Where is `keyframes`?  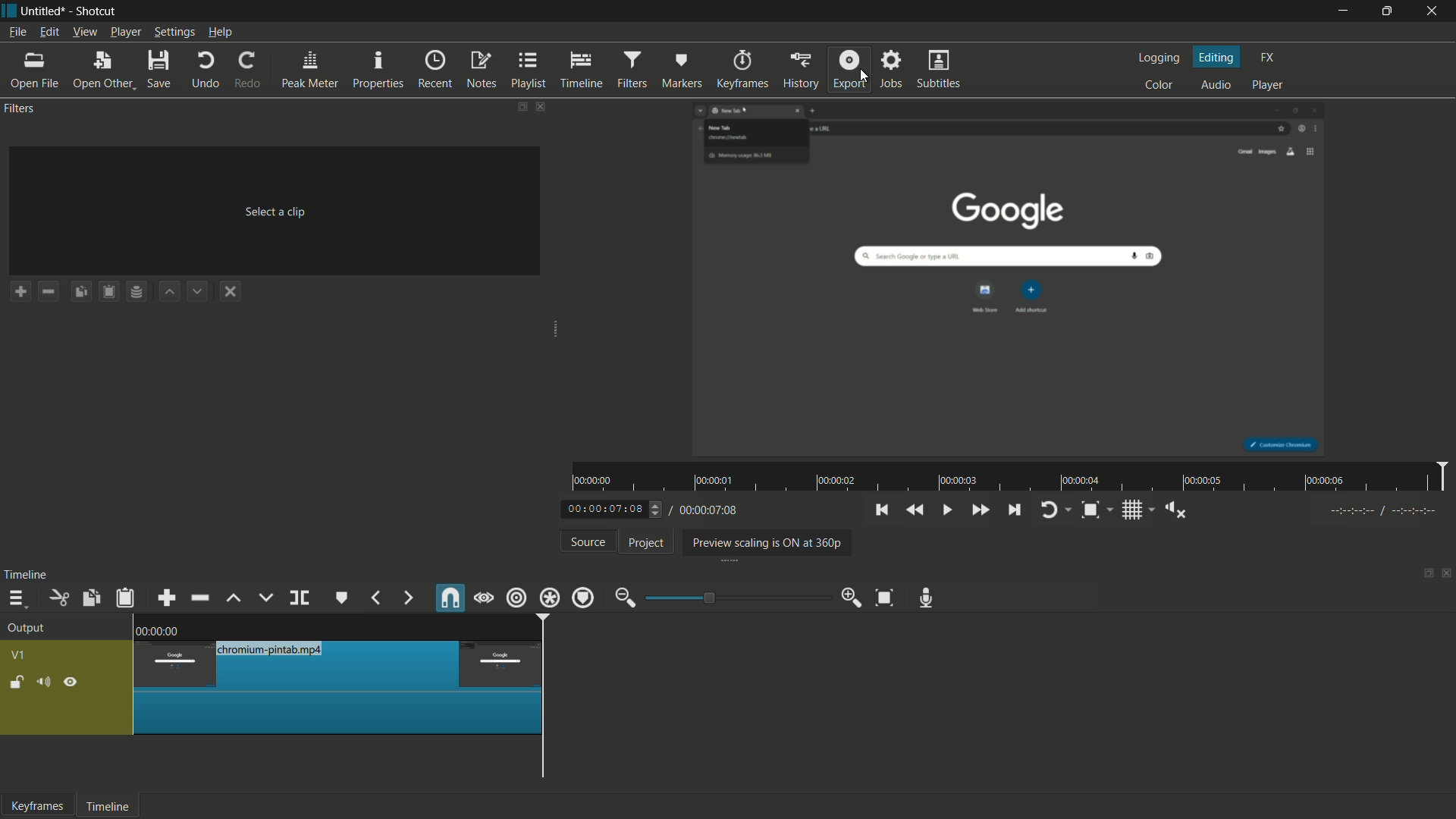
keyframes is located at coordinates (745, 69).